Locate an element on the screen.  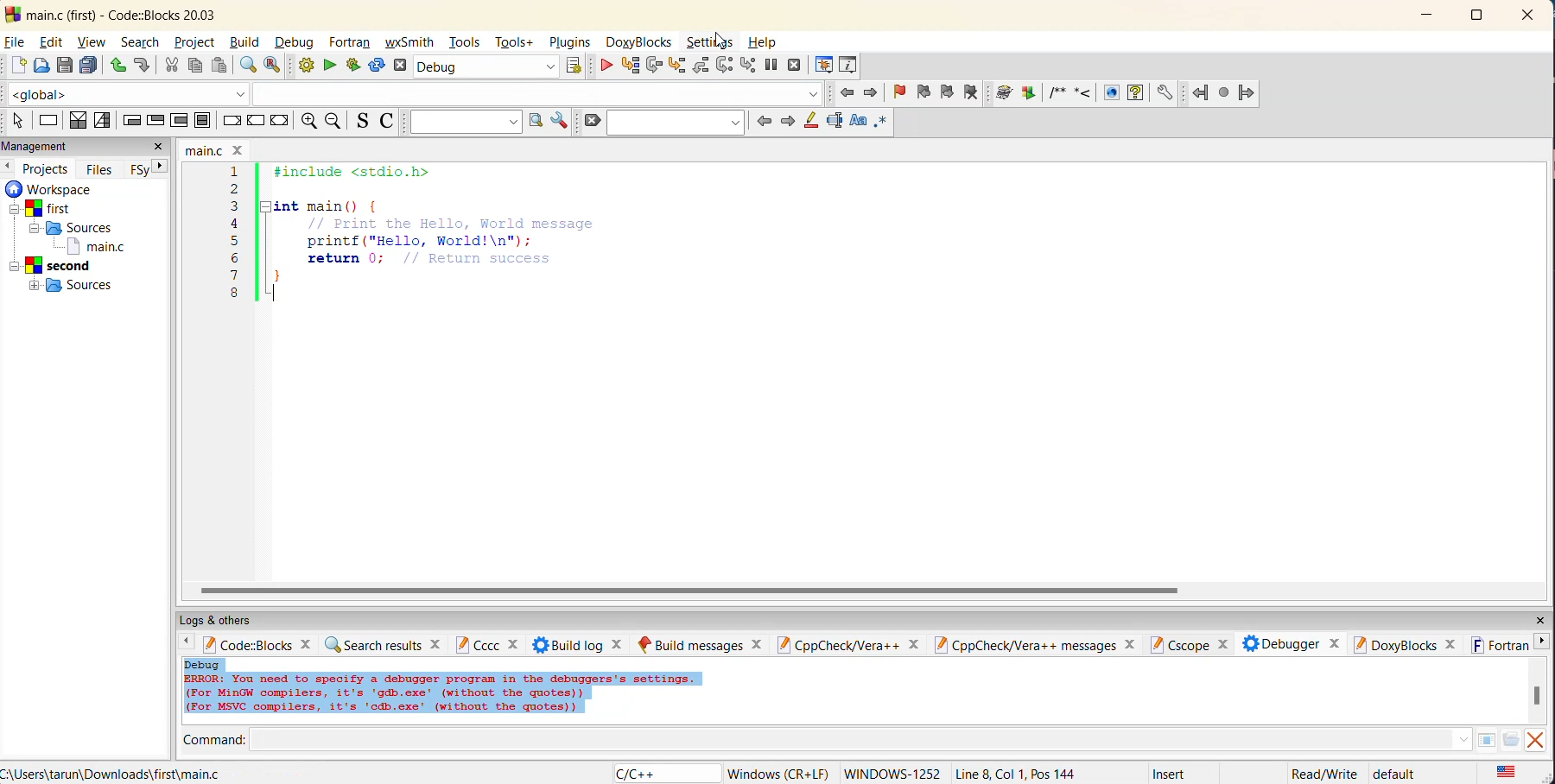
build log is located at coordinates (581, 643).